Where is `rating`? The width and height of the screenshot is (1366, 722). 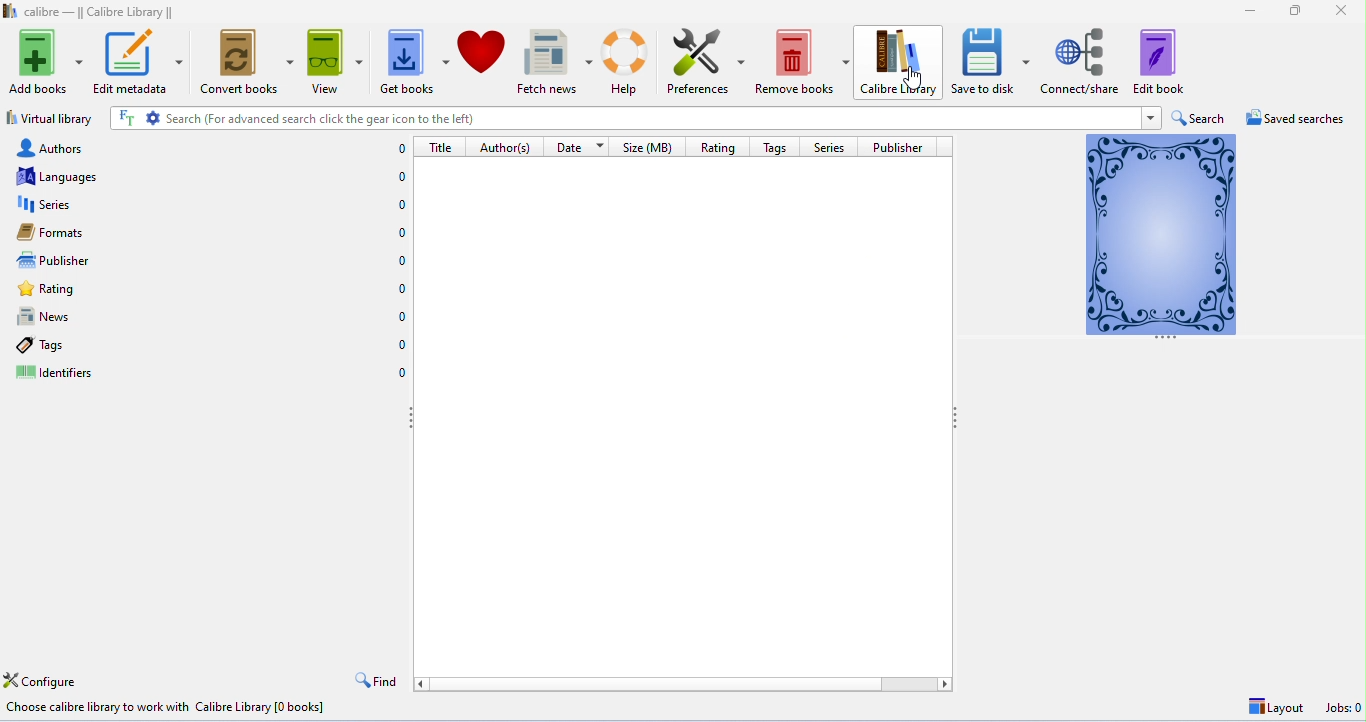
rating is located at coordinates (718, 146).